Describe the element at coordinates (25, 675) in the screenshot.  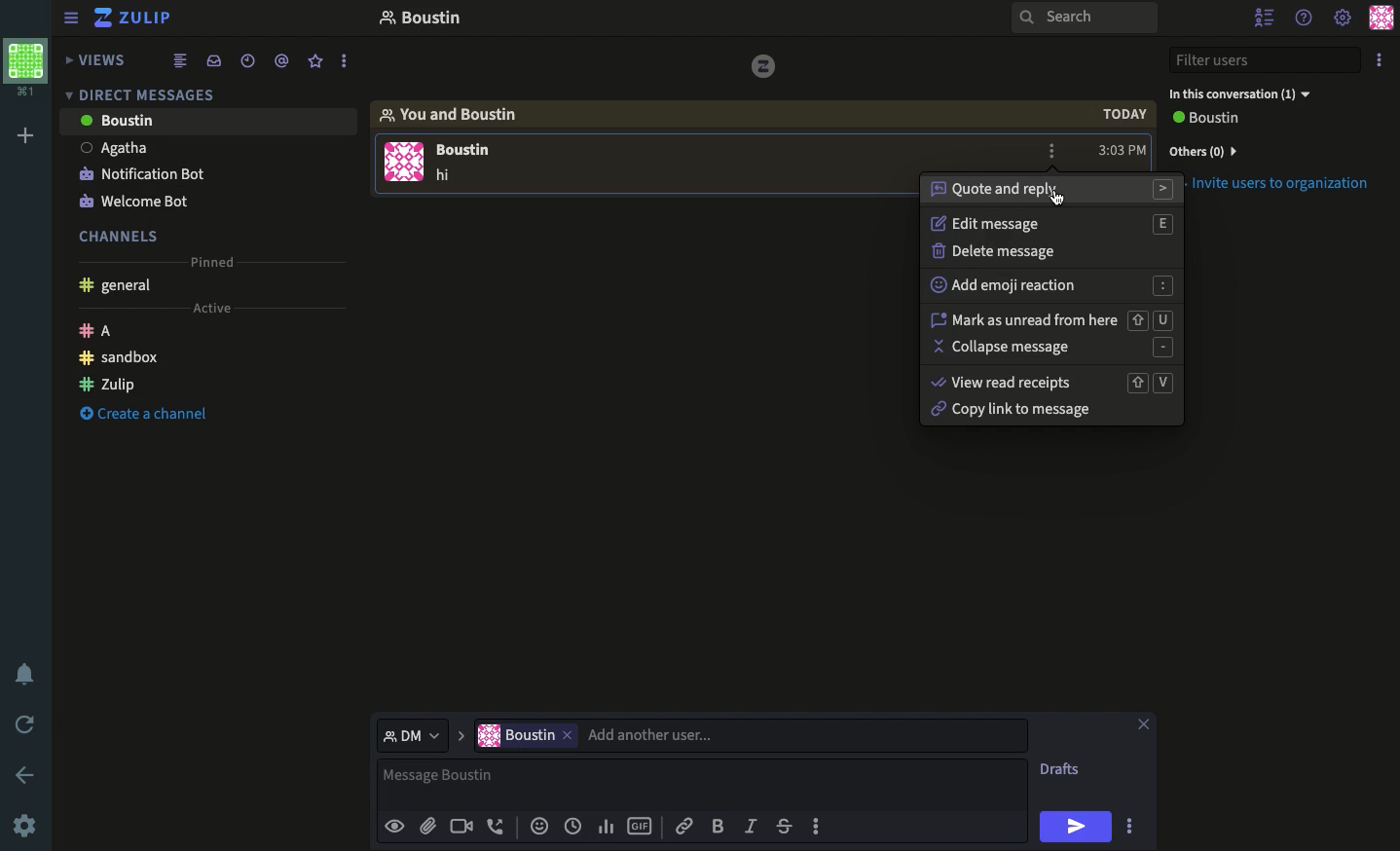
I see `Notification` at that location.